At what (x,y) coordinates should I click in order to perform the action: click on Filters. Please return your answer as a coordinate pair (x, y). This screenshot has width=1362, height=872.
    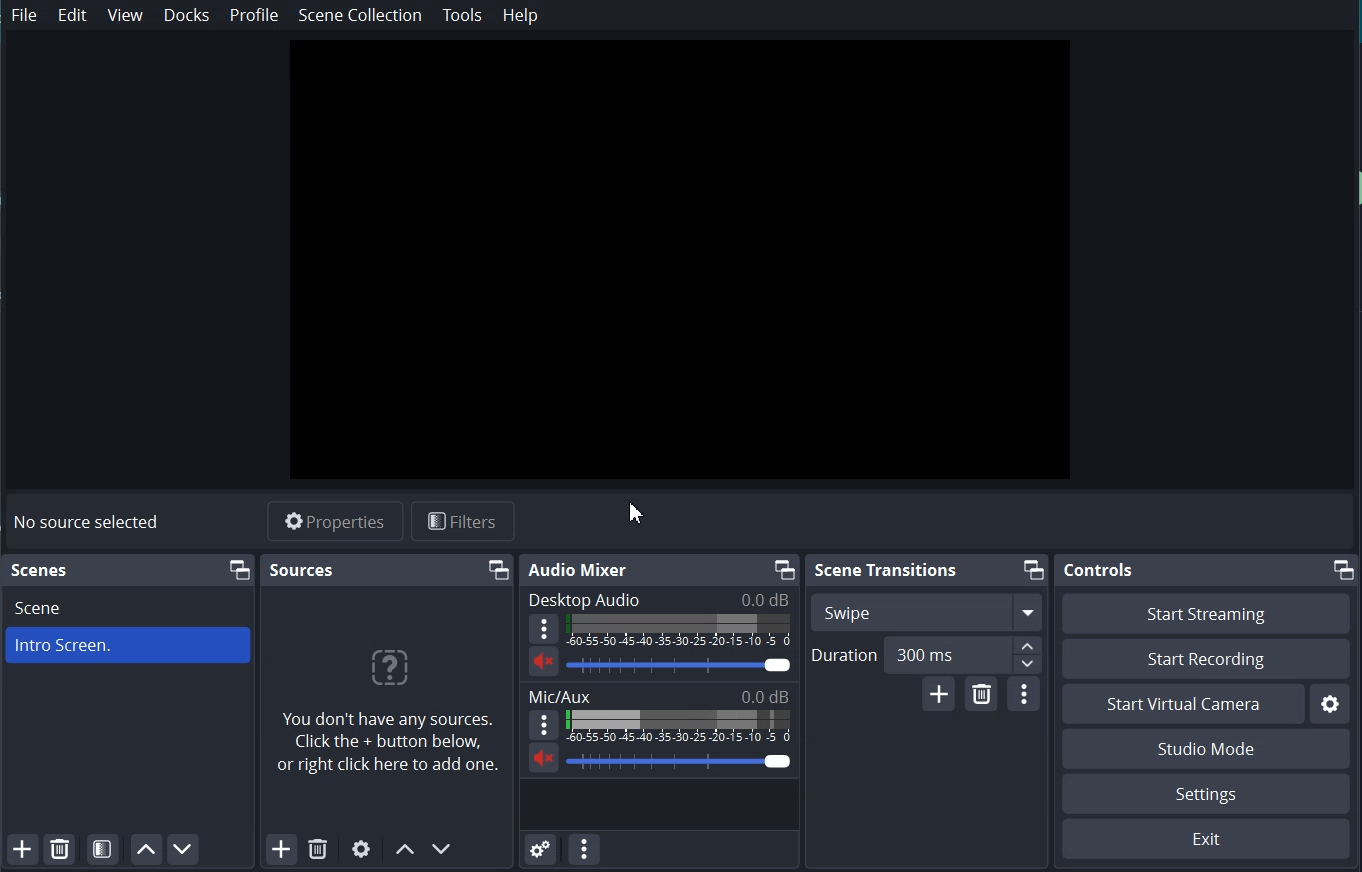
    Looking at the image, I should click on (463, 522).